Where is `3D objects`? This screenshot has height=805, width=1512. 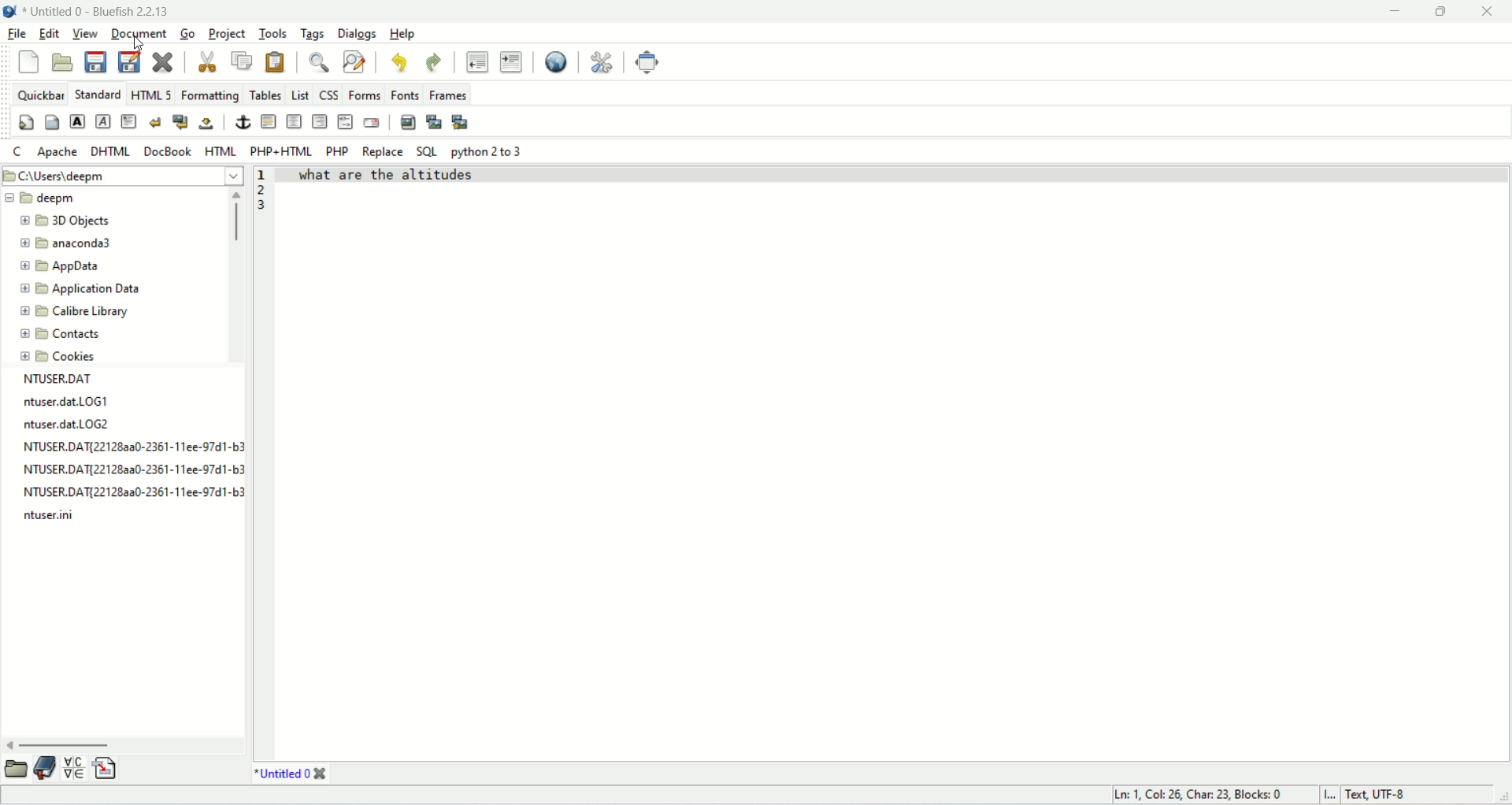 3D objects is located at coordinates (64, 222).